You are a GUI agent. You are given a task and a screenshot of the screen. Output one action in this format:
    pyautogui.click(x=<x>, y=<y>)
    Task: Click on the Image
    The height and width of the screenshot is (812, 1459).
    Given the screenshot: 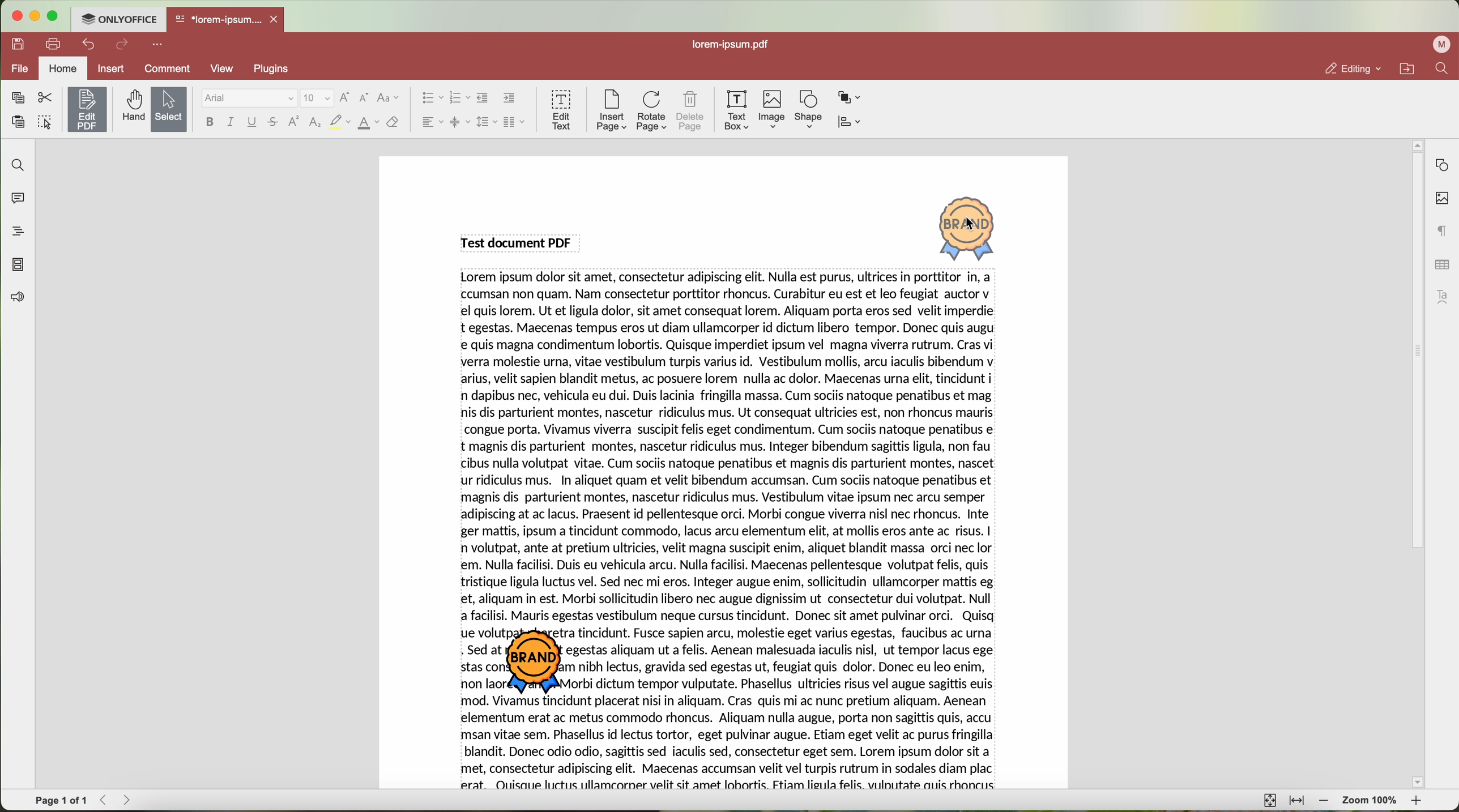 What is the action you would take?
    pyautogui.click(x=969, y=227)
    